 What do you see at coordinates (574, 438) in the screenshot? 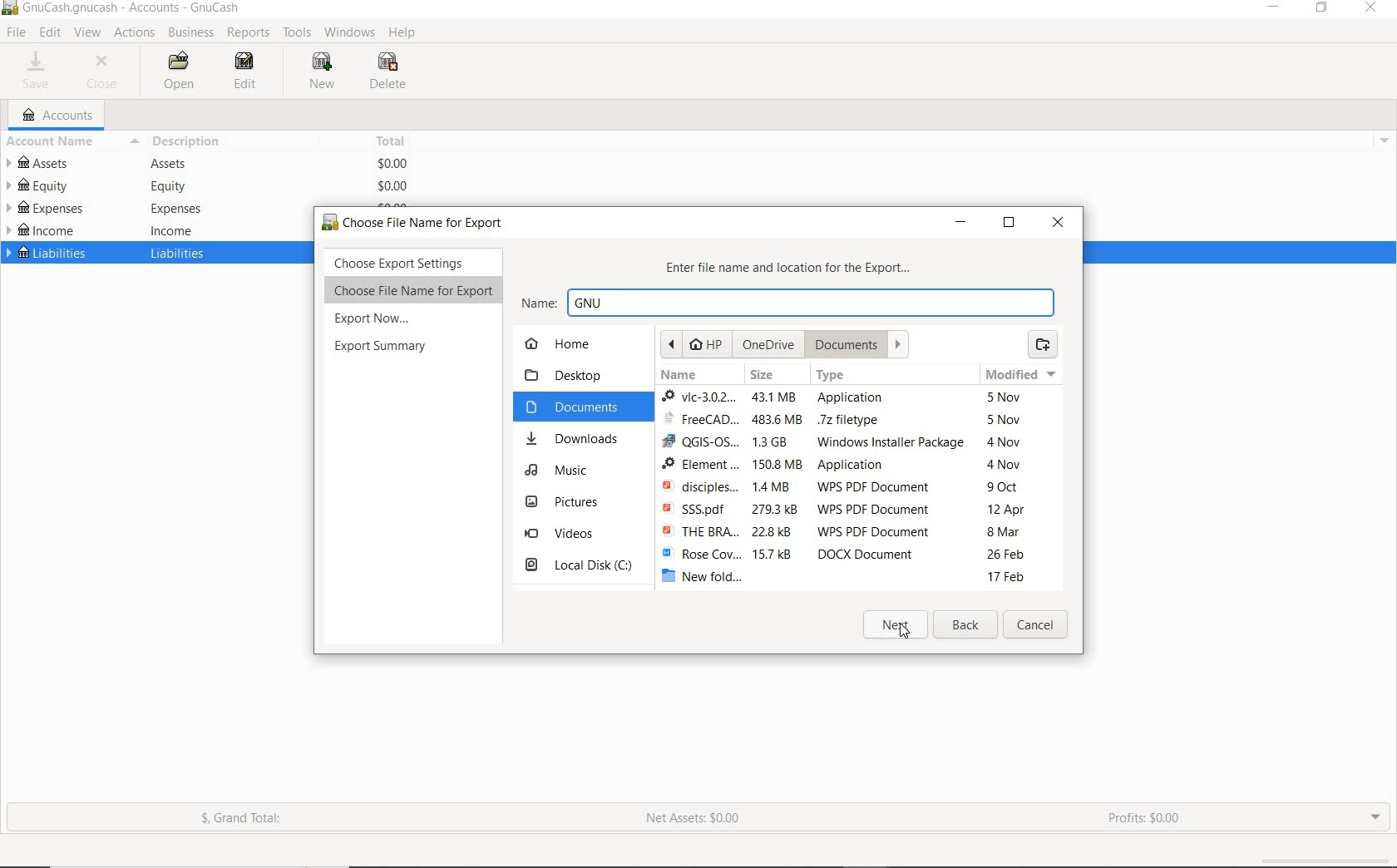
I see `downloads` at bounding box center [574, 438].